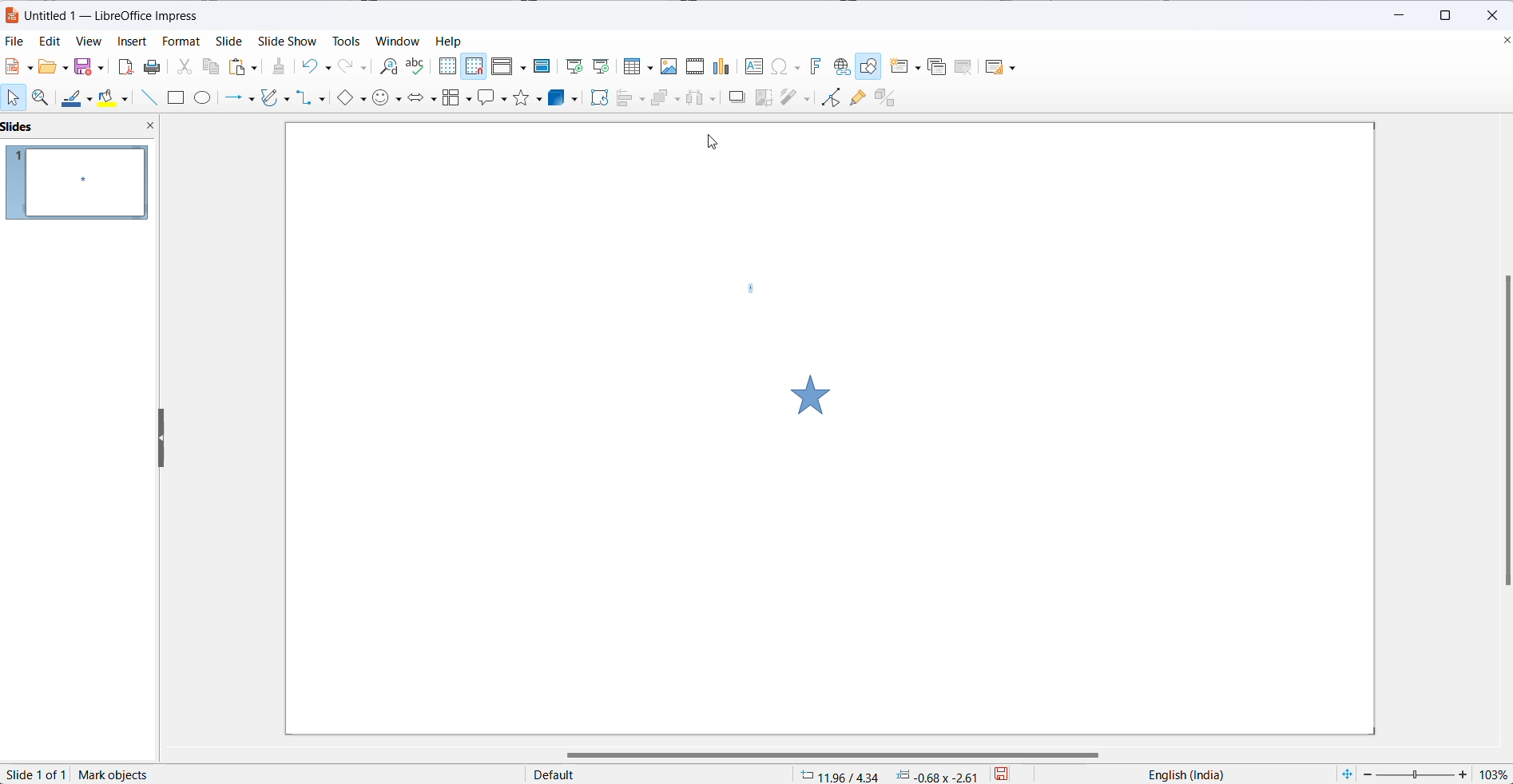 This screenshot has height=784, width=1513. What do you see at coordinates (124, 14) in the screenshot?
I see `Untitled 1-LibreOffice Impress` at bounding box center [124, 14].